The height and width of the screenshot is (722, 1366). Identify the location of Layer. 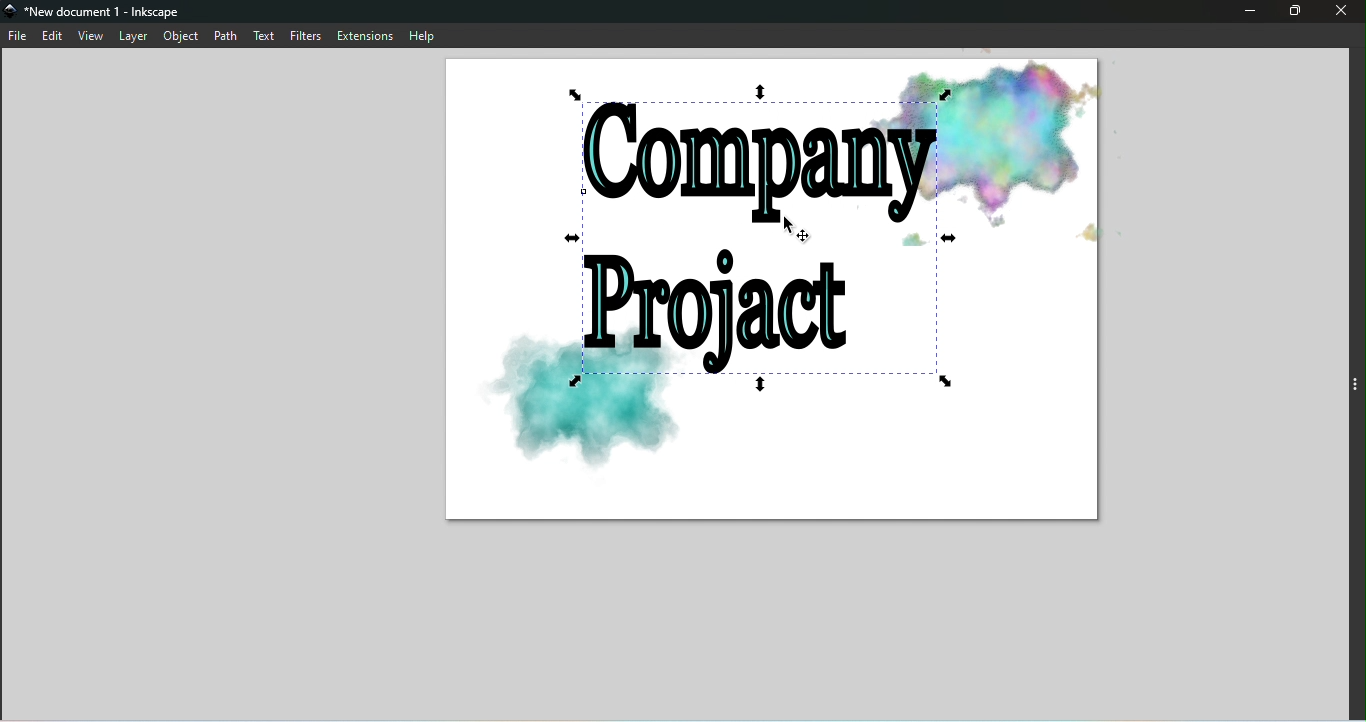
(133, 37).